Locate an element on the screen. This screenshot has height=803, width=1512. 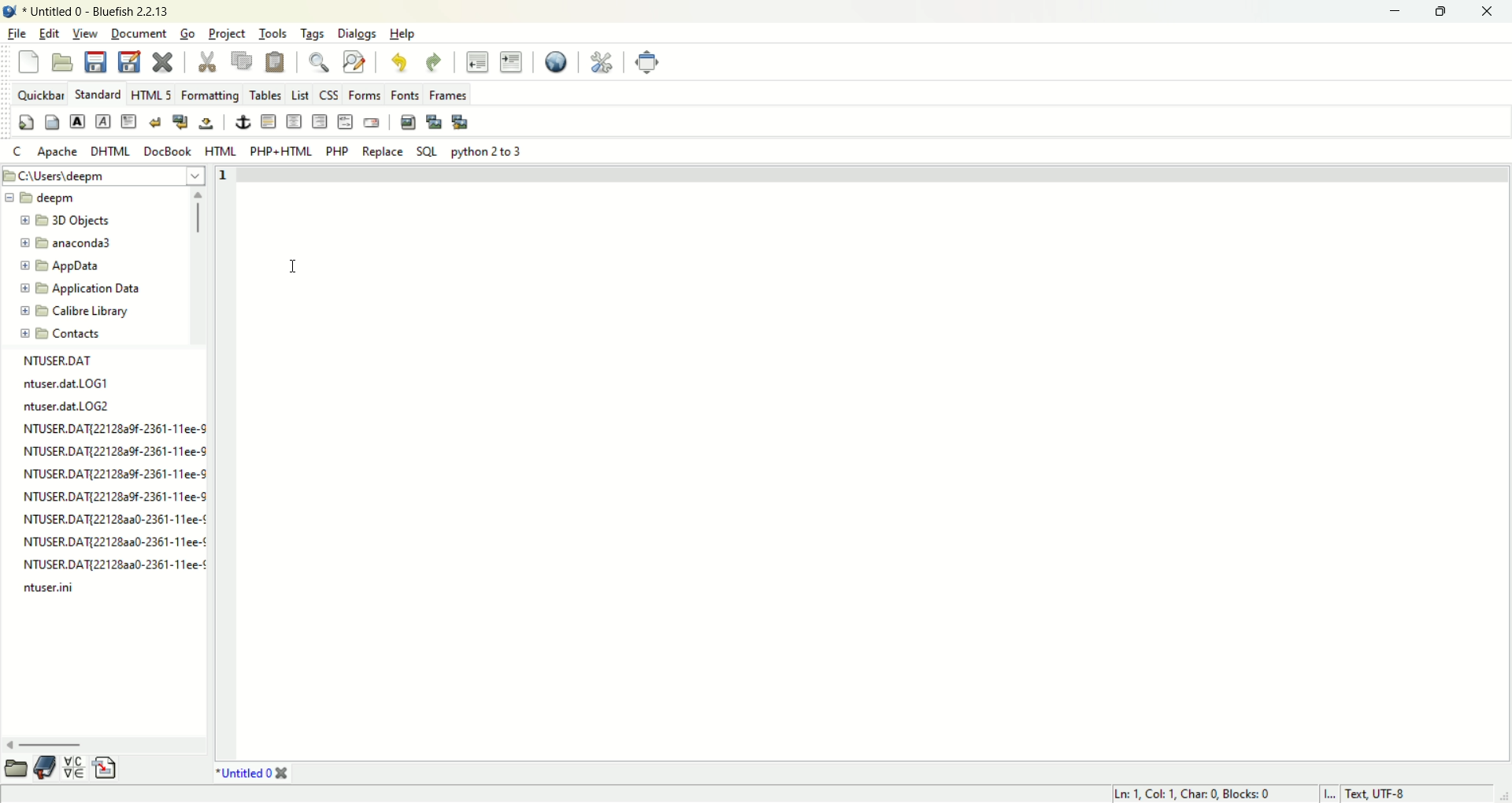
bookmarks is located at coordinates (45, 768).